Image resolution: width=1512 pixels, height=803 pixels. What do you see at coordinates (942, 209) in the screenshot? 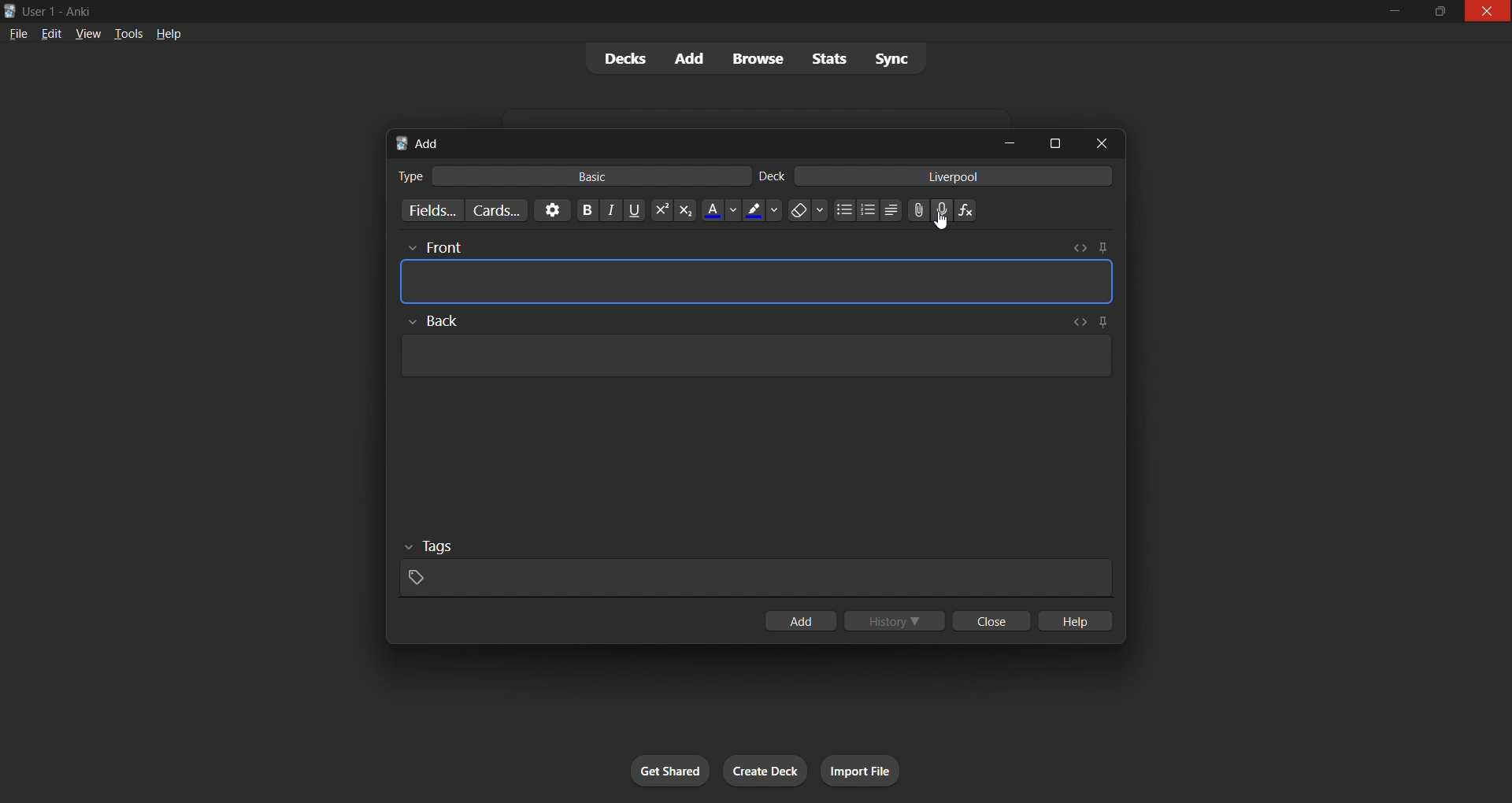
I see `add audio` at bounding box center [942, 209].